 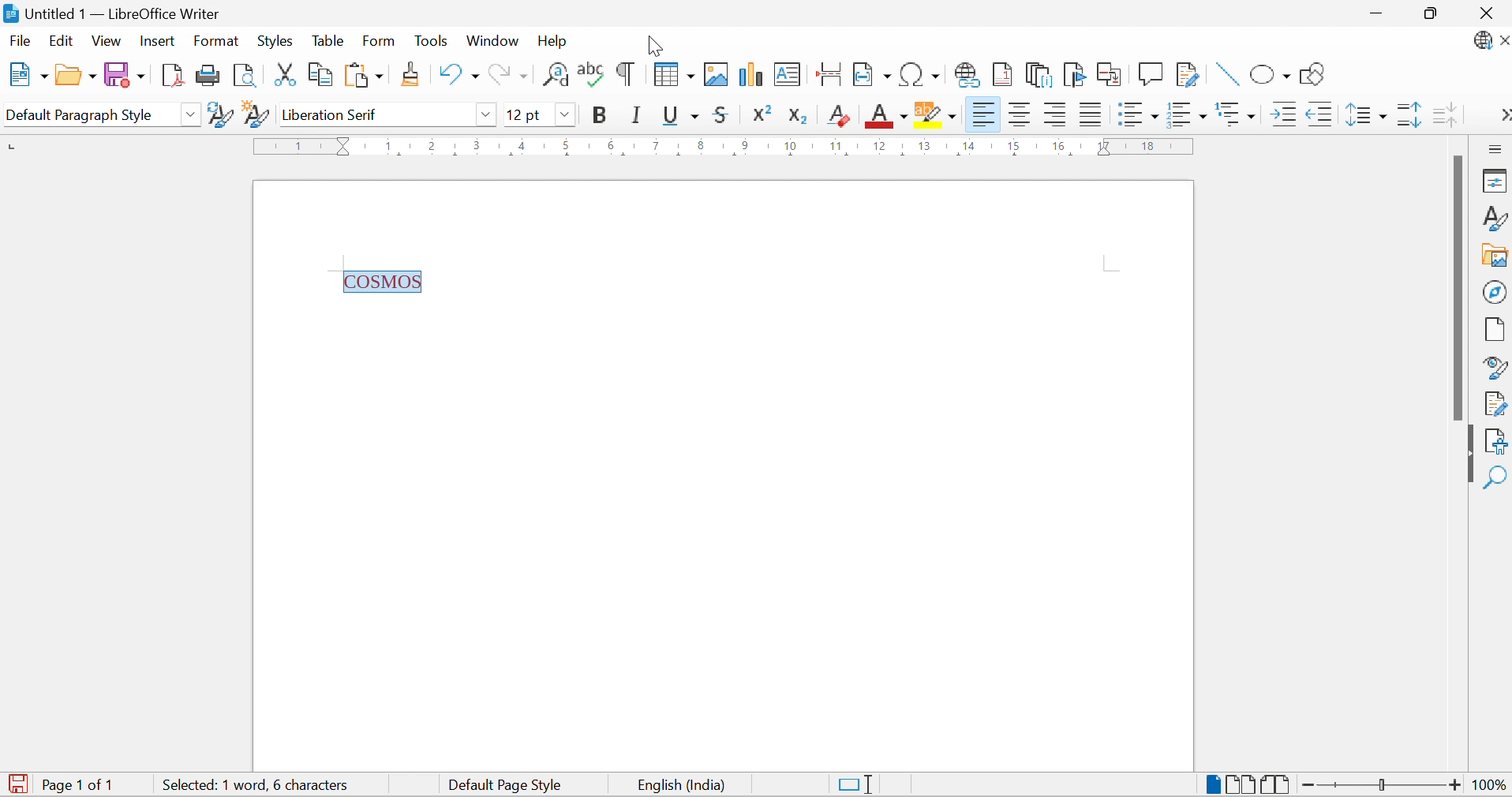 I want to click on Toggle Ordered List, so click(x=1188, y=114).